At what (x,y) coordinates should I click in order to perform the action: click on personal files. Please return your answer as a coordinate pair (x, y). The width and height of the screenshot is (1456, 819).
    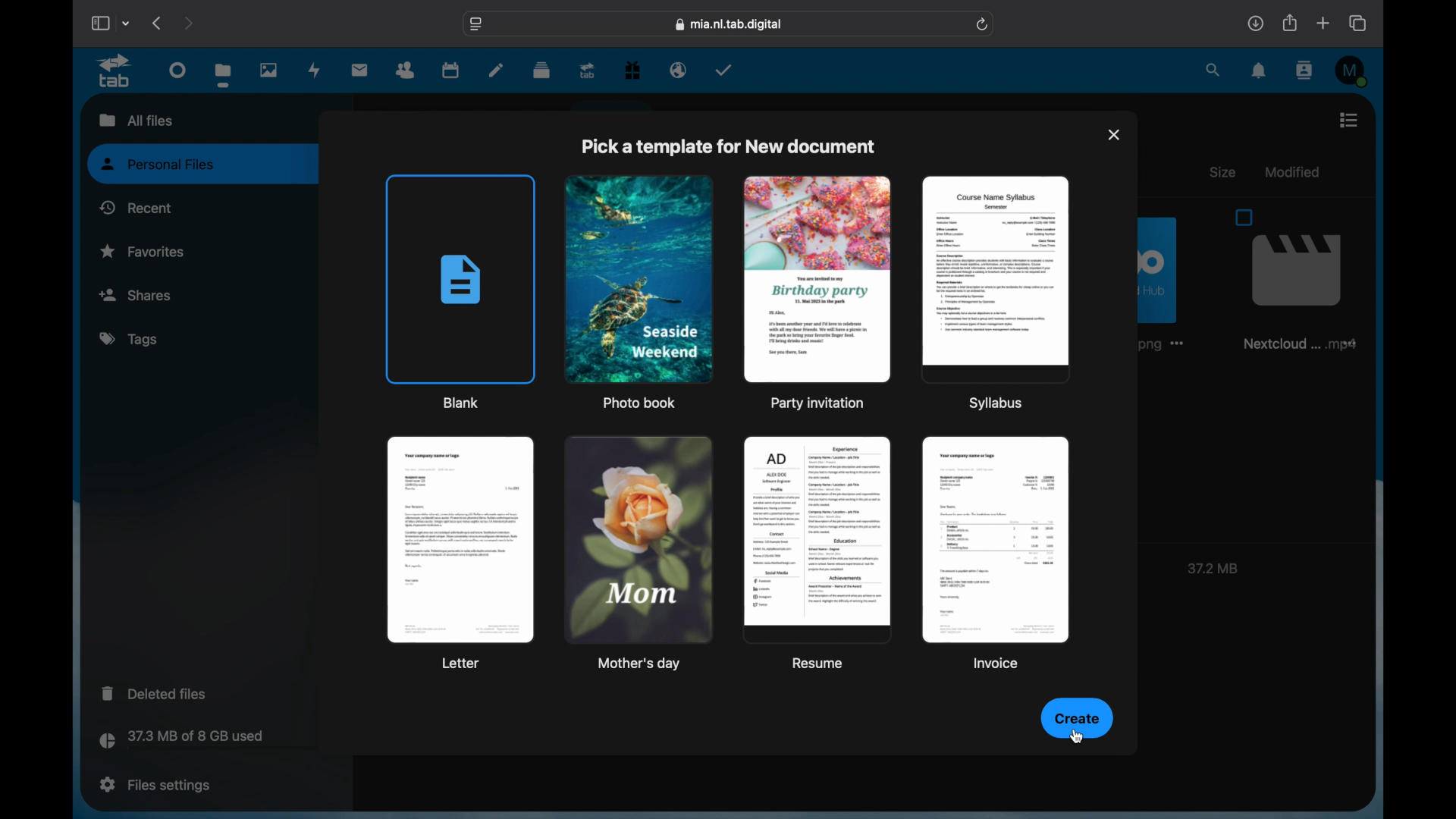
    Looking at the image, I should click on (205, 165).